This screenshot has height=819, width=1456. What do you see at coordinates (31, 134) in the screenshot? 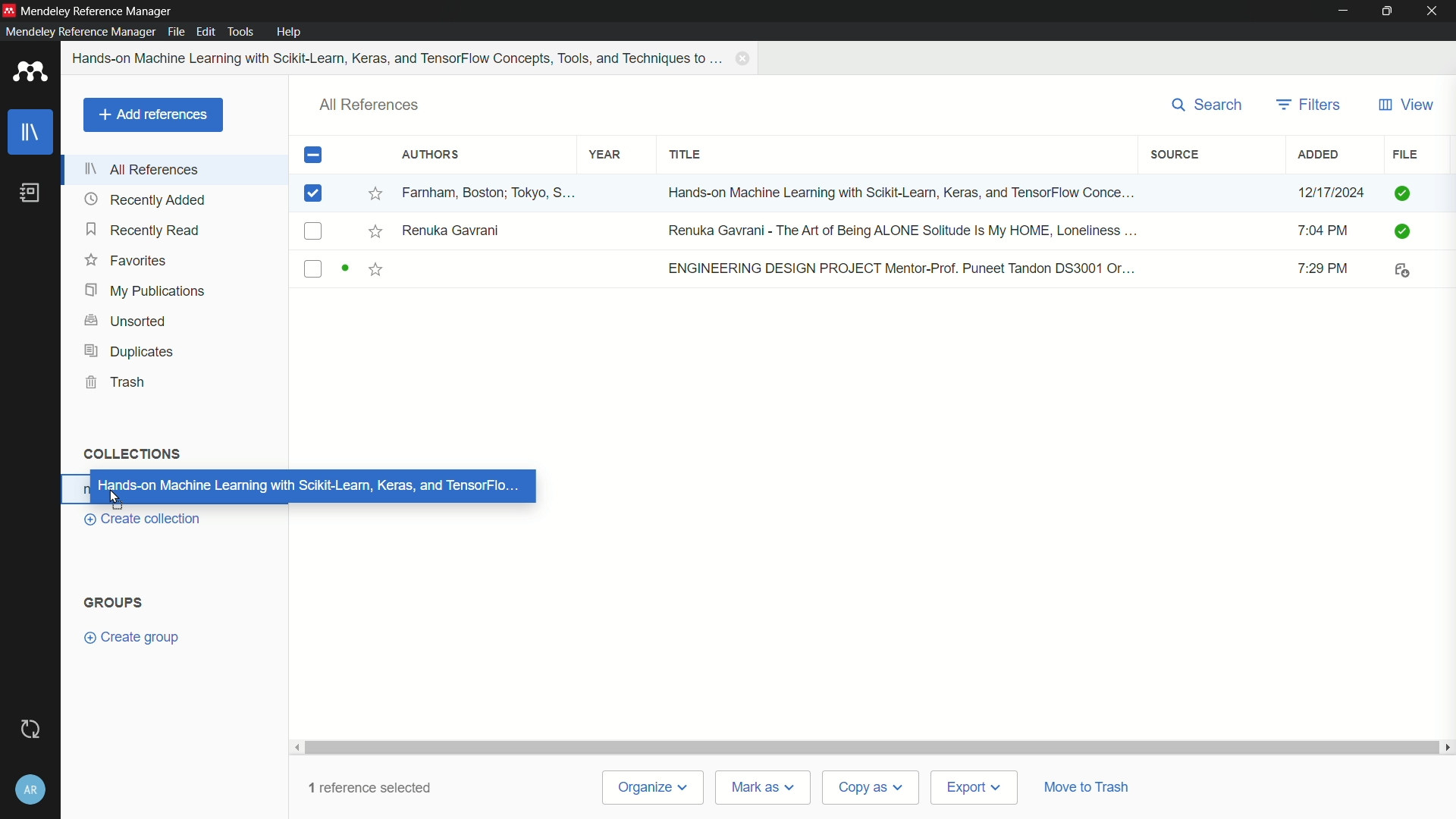
I see `library` at bounding box center [31, 134].